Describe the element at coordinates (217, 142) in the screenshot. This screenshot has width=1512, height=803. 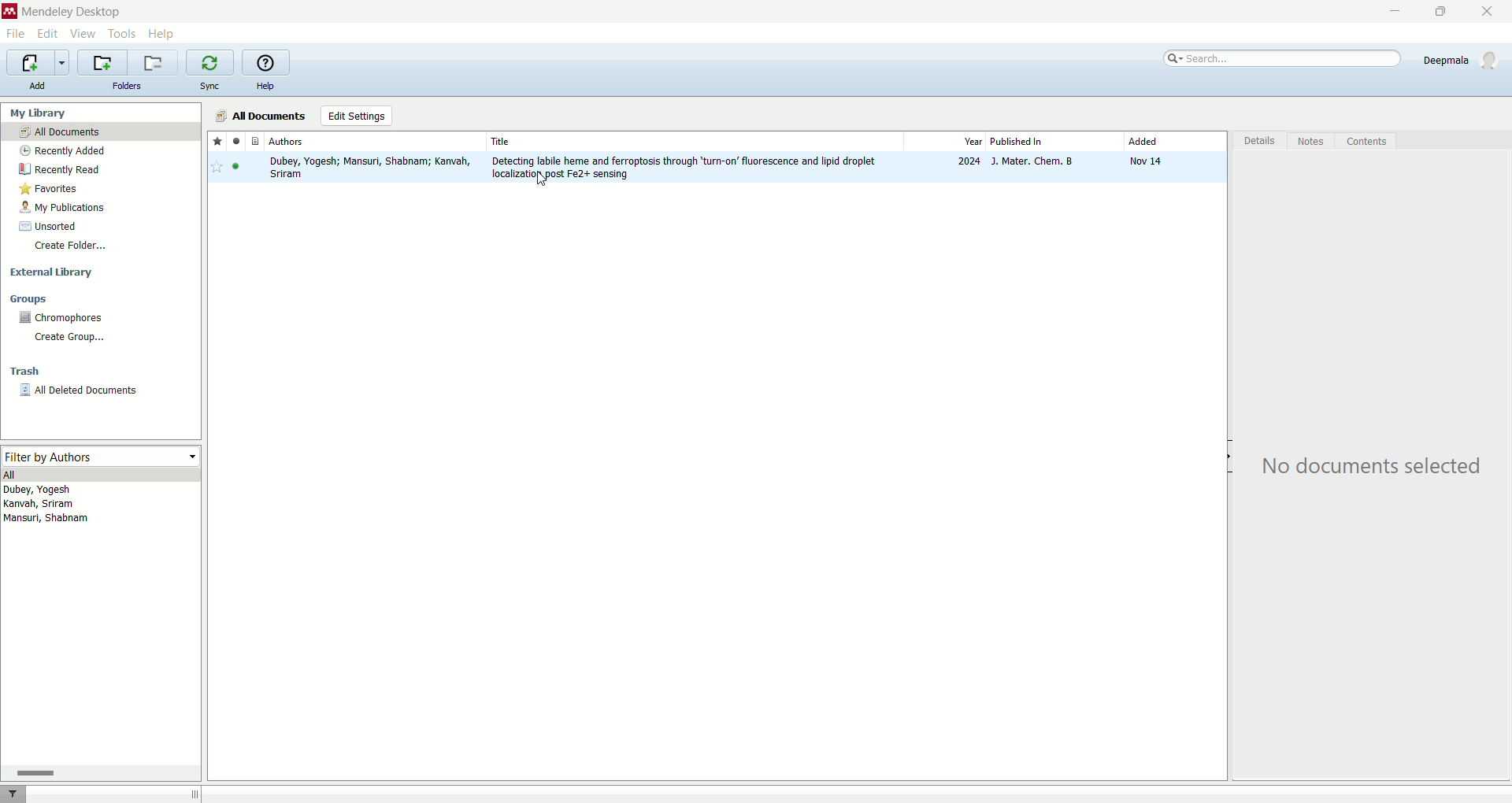
I see `favorite` at that location.